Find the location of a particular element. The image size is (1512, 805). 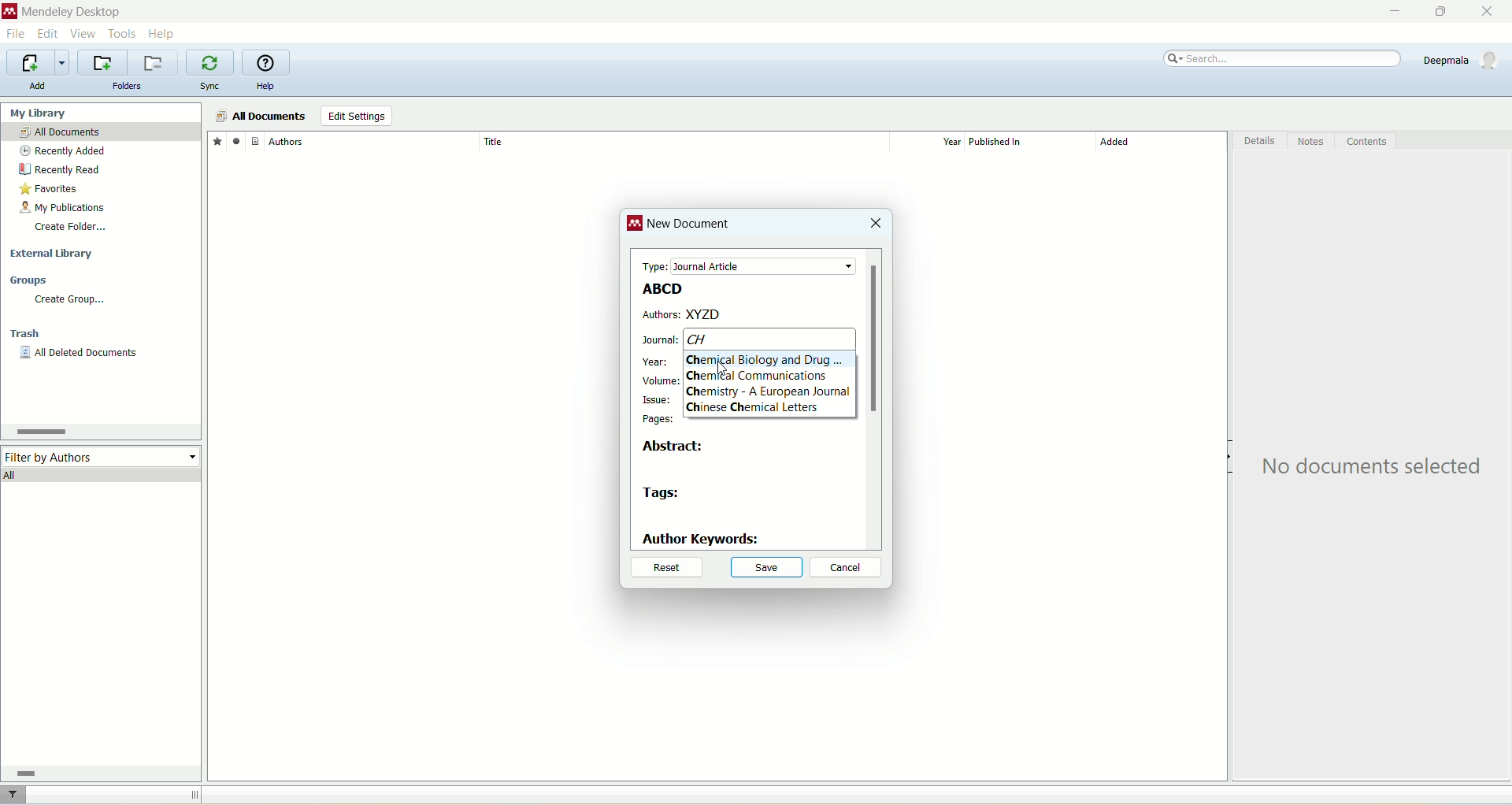

tools is located at coordinates (123, 32).